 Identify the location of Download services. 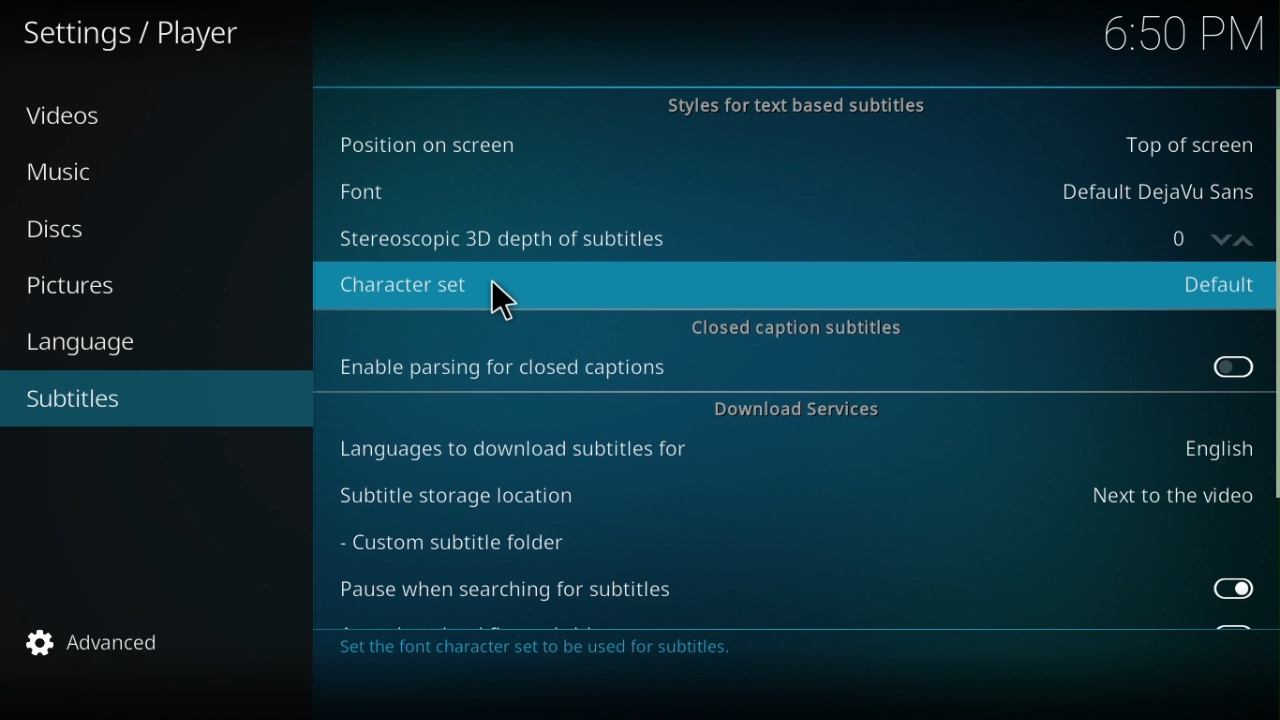
(793, 412).